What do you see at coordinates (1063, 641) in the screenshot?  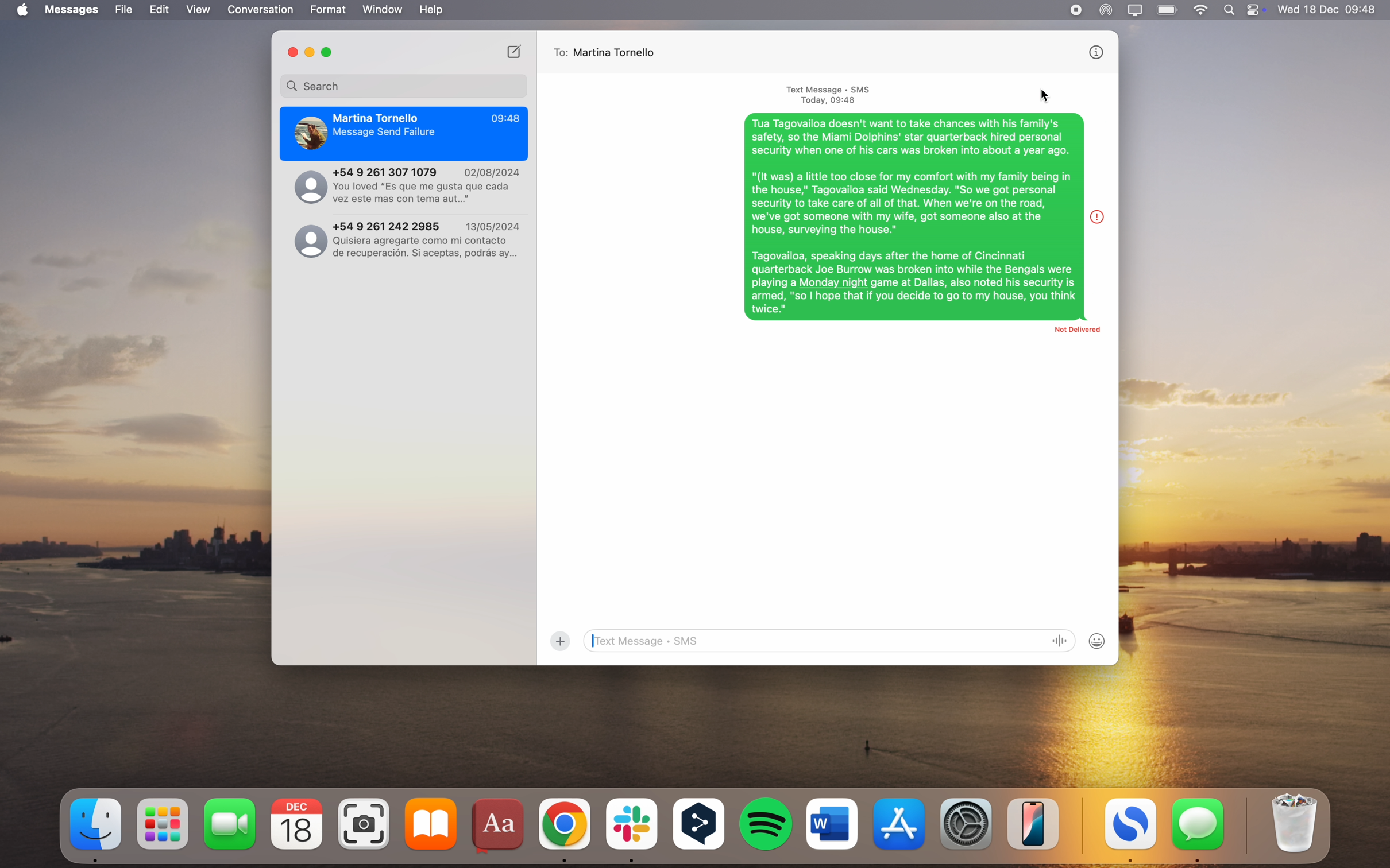 I see `voice record` at bounding box center [1063, 641].